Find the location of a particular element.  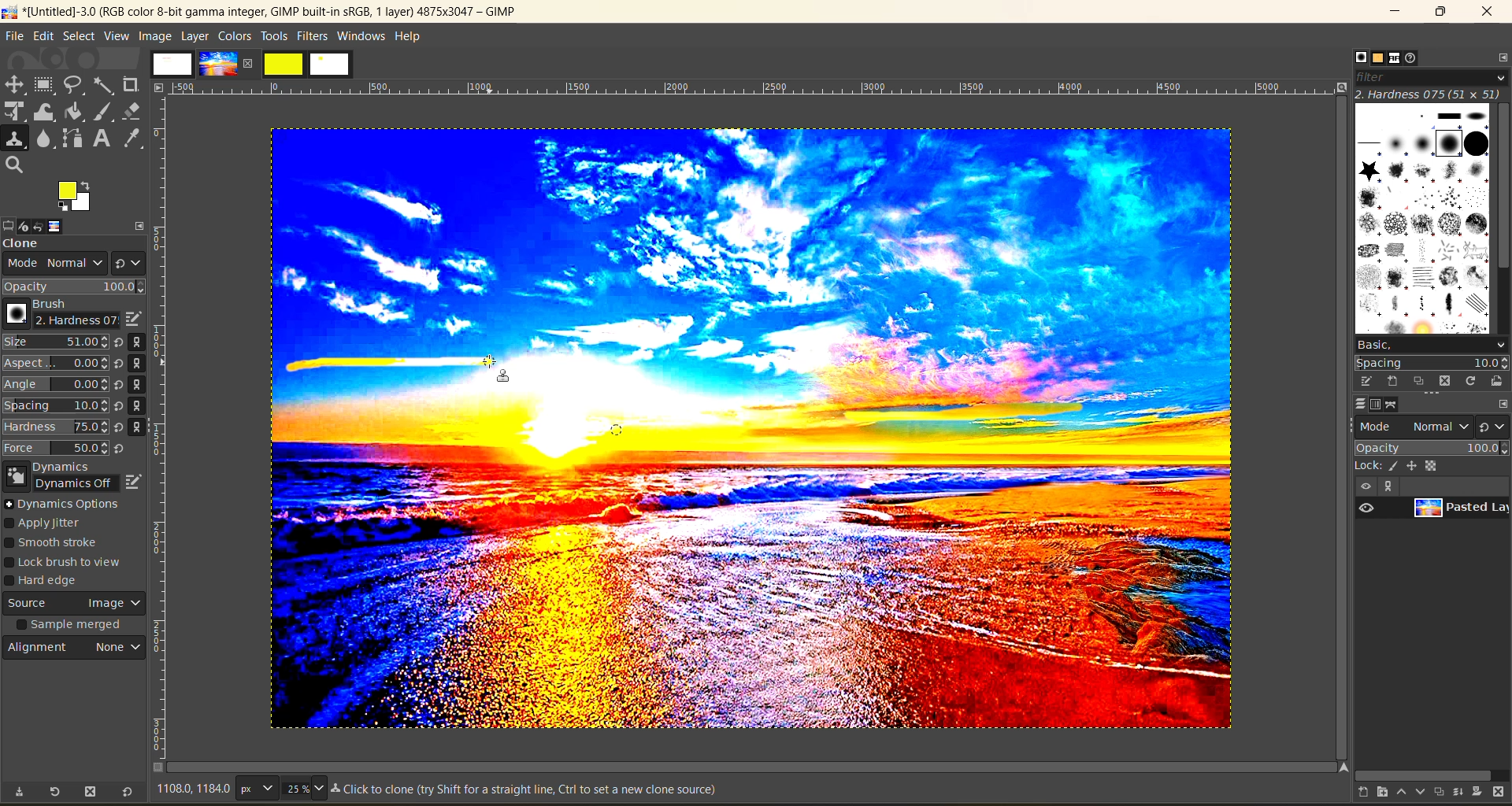

paint bucket  is located at coordinates (79, 113).